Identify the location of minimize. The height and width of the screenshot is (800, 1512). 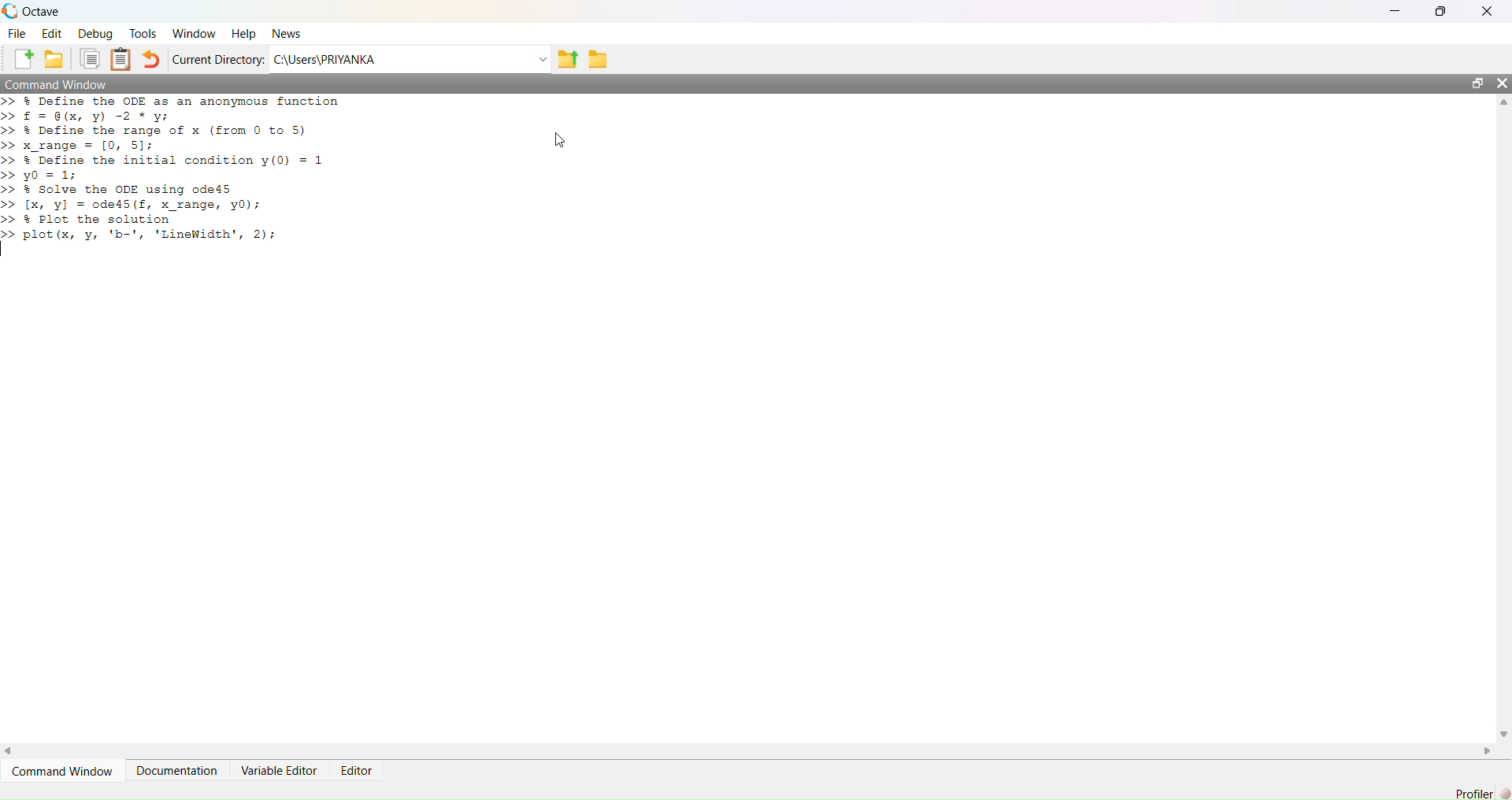
(1395, 11).